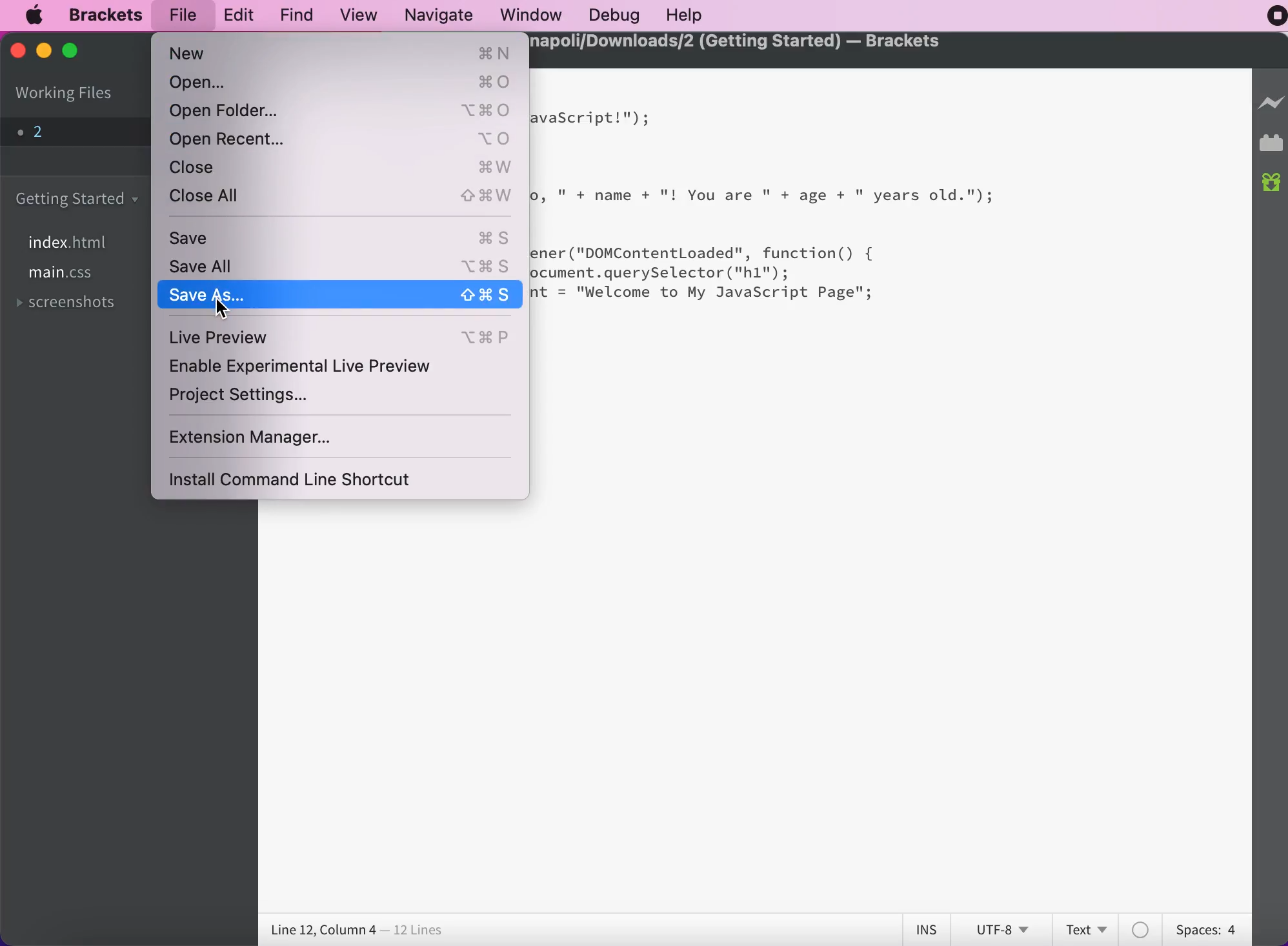  What do you see at coordinates (241, 400) in the screenshot?
I see `project settings` at bounding box center [241, 400].